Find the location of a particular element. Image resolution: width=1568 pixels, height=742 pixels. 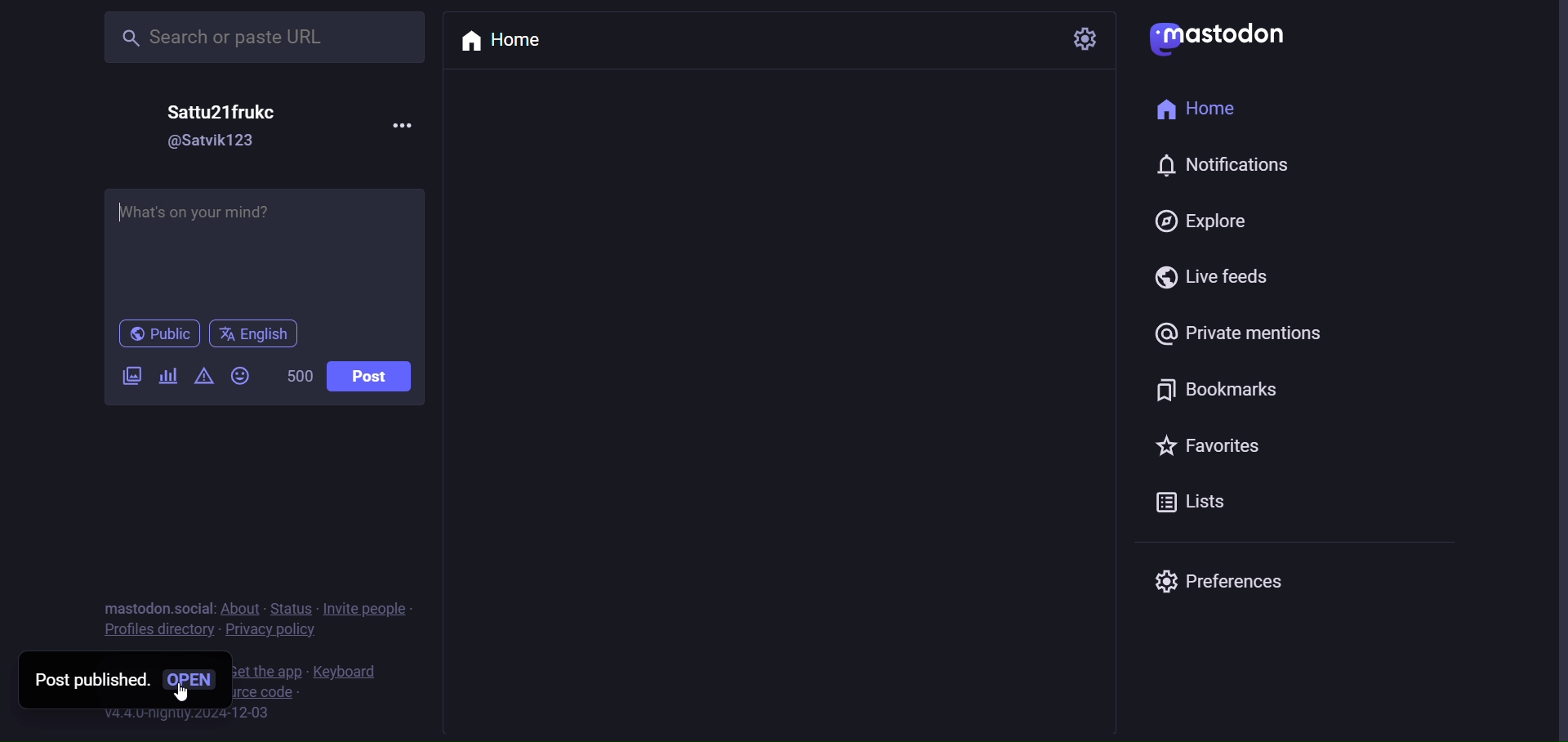

Post is located at coordinates (369, 376).